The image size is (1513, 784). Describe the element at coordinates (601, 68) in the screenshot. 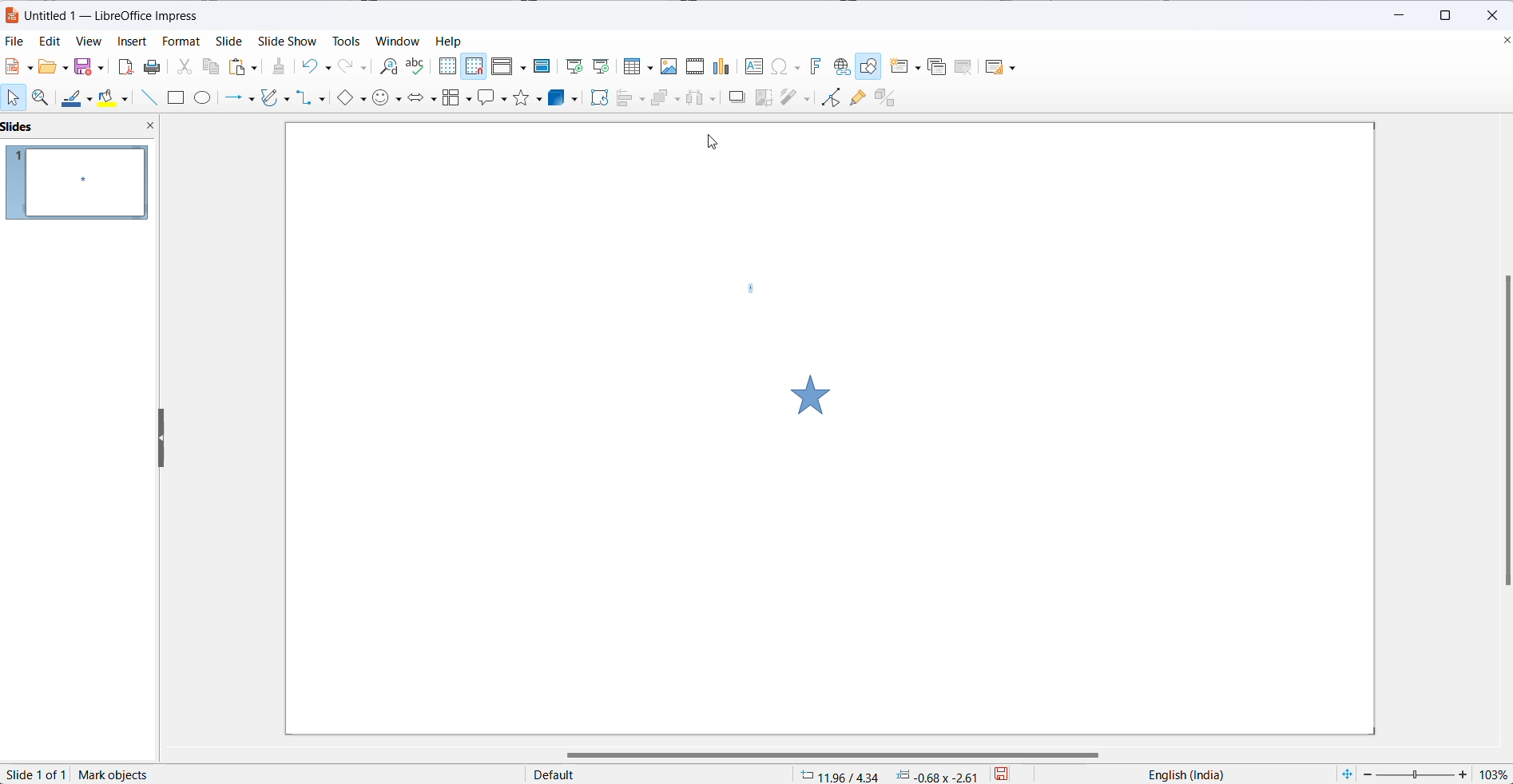

I see `start from current slide` at that location.